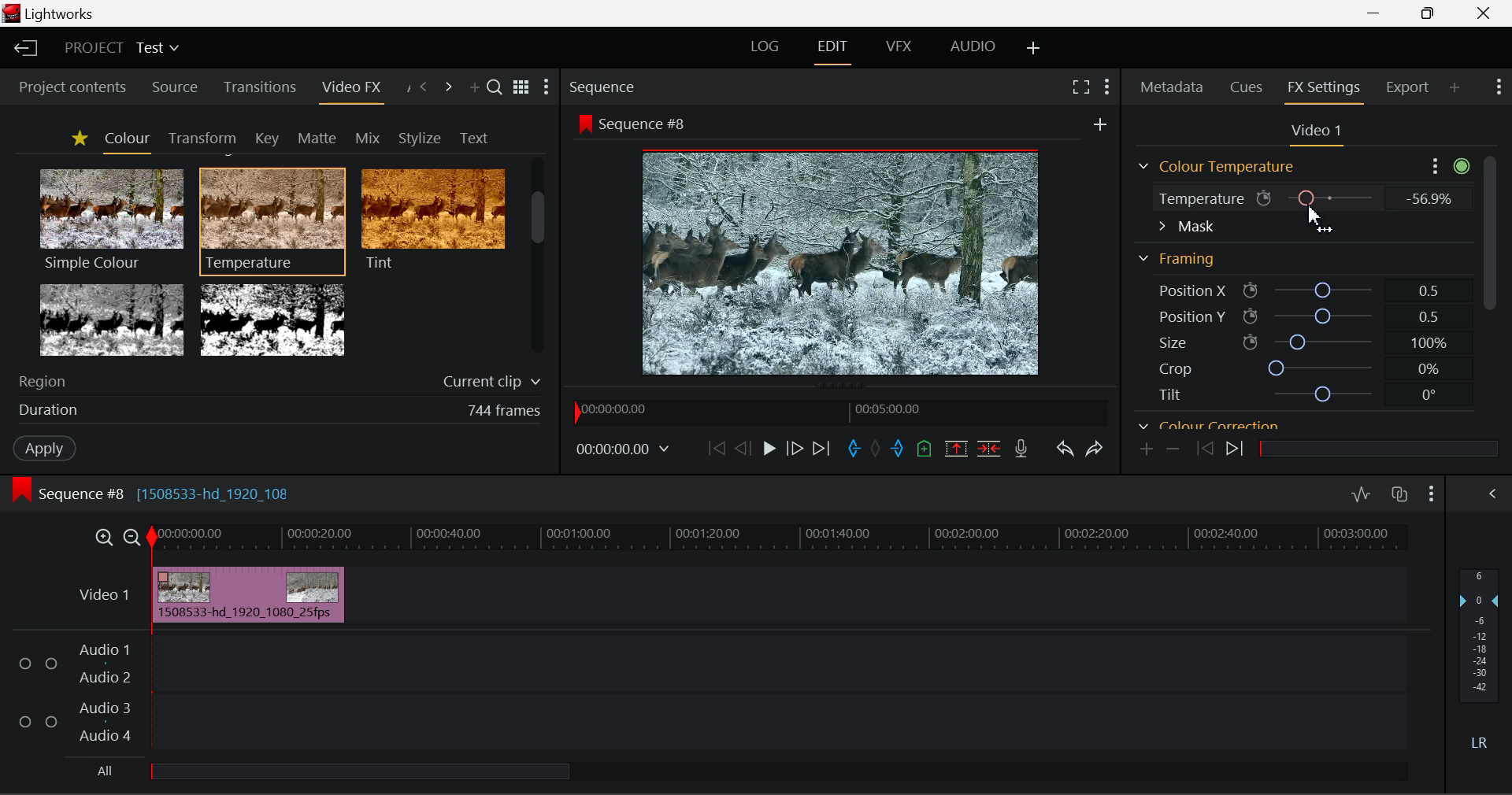 This screenshot has width=1512, height=795. Describe the element at coordinates (1175, 368) in the screenshot. I see `Crop` at that location.